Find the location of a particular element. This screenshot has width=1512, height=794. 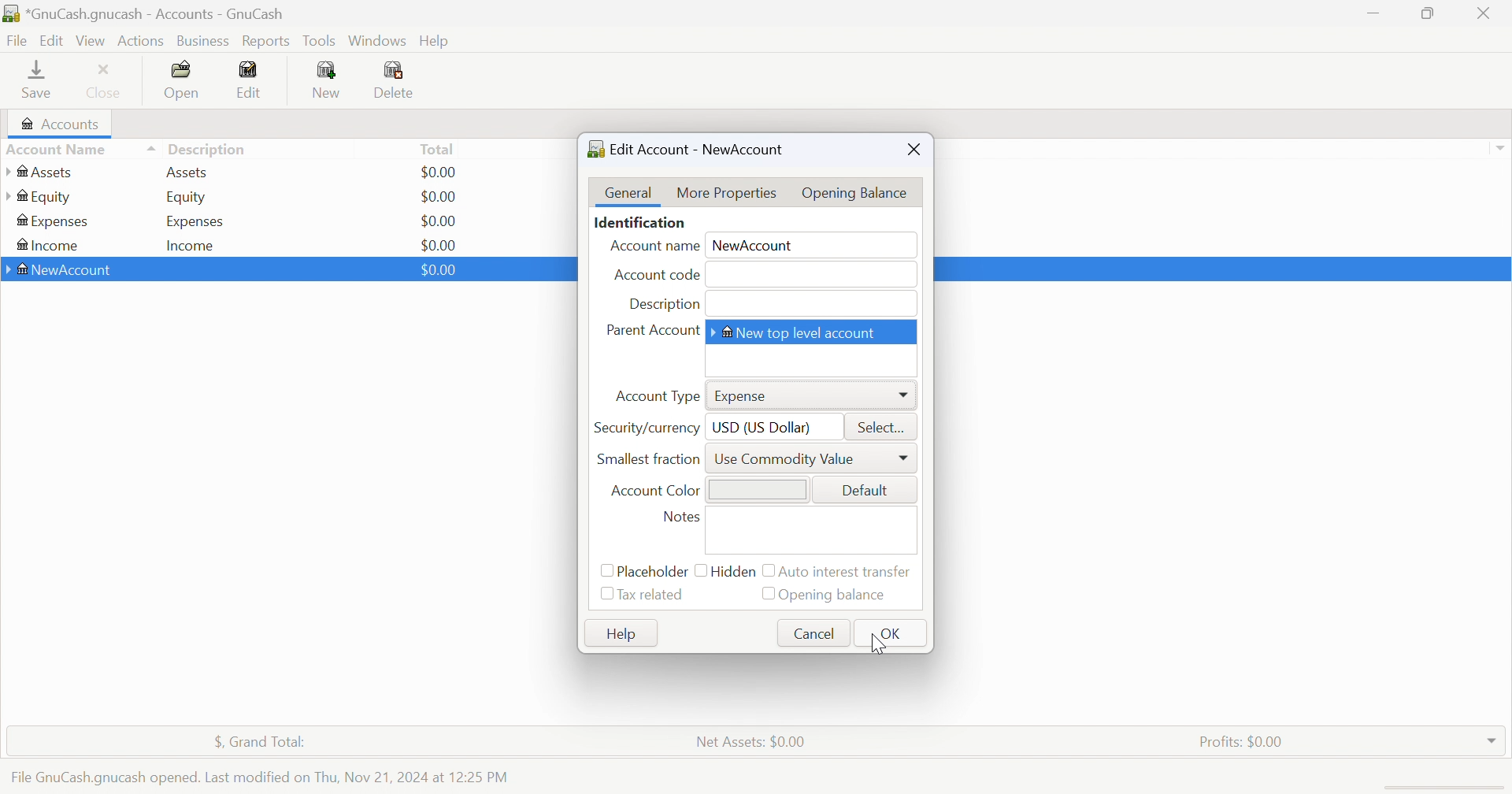

Business is located at coordinates (206, 42).